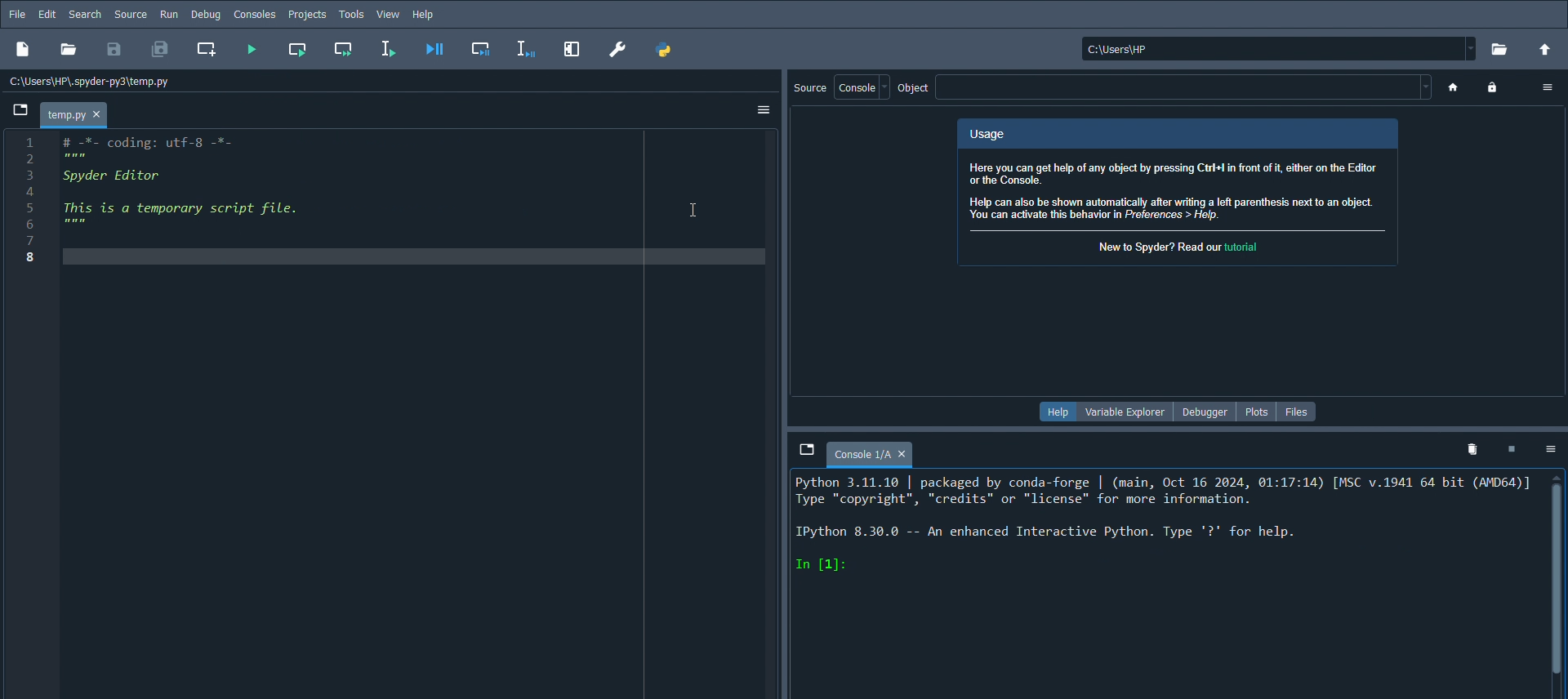 Image resolution: width=1568 pixels, height=699 pixels. Describe the element at coordinates (1204, 412) in the screenshot. I see `Debugger` at that location.